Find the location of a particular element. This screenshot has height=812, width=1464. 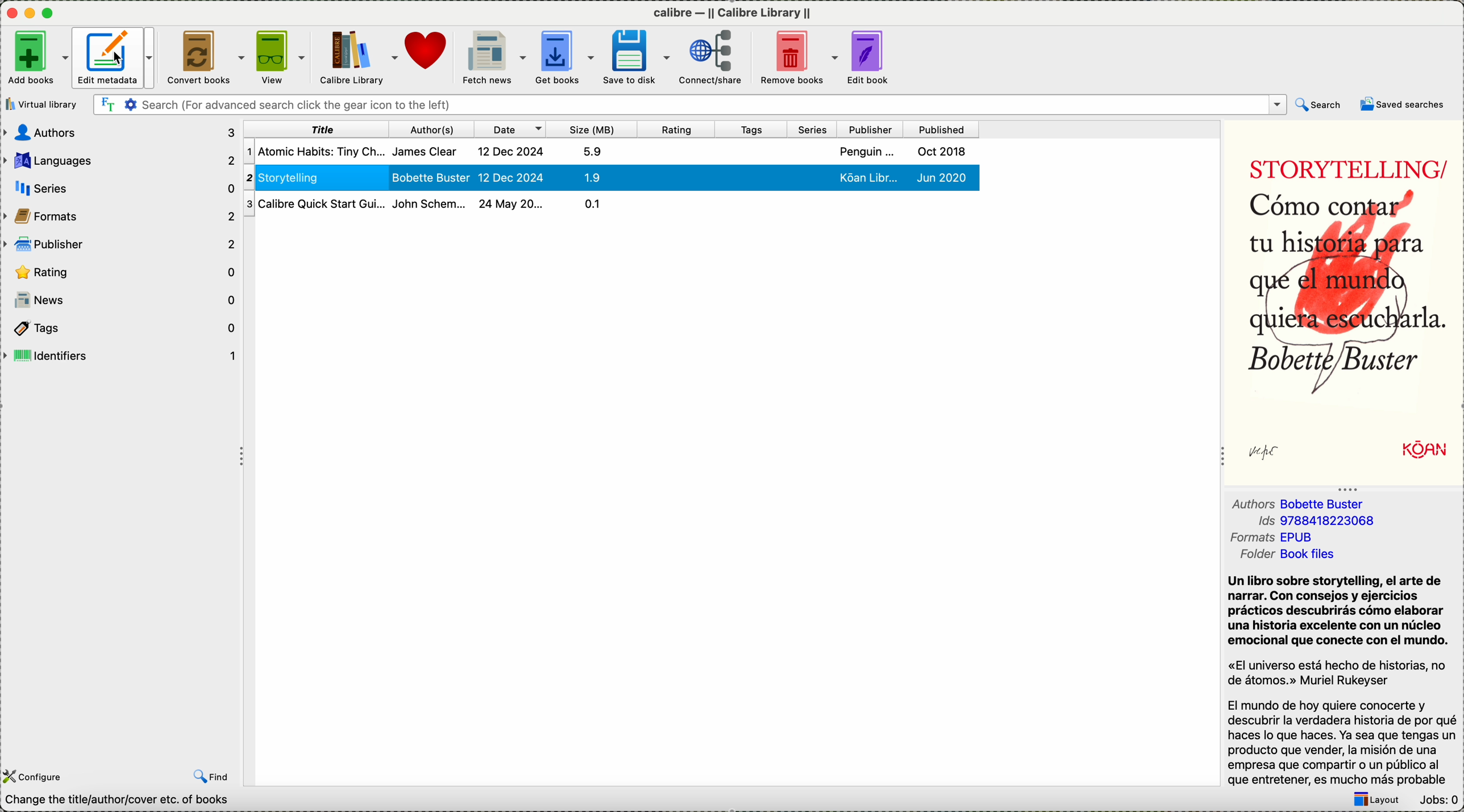

synopsis is located at coordinates (1344, 667).